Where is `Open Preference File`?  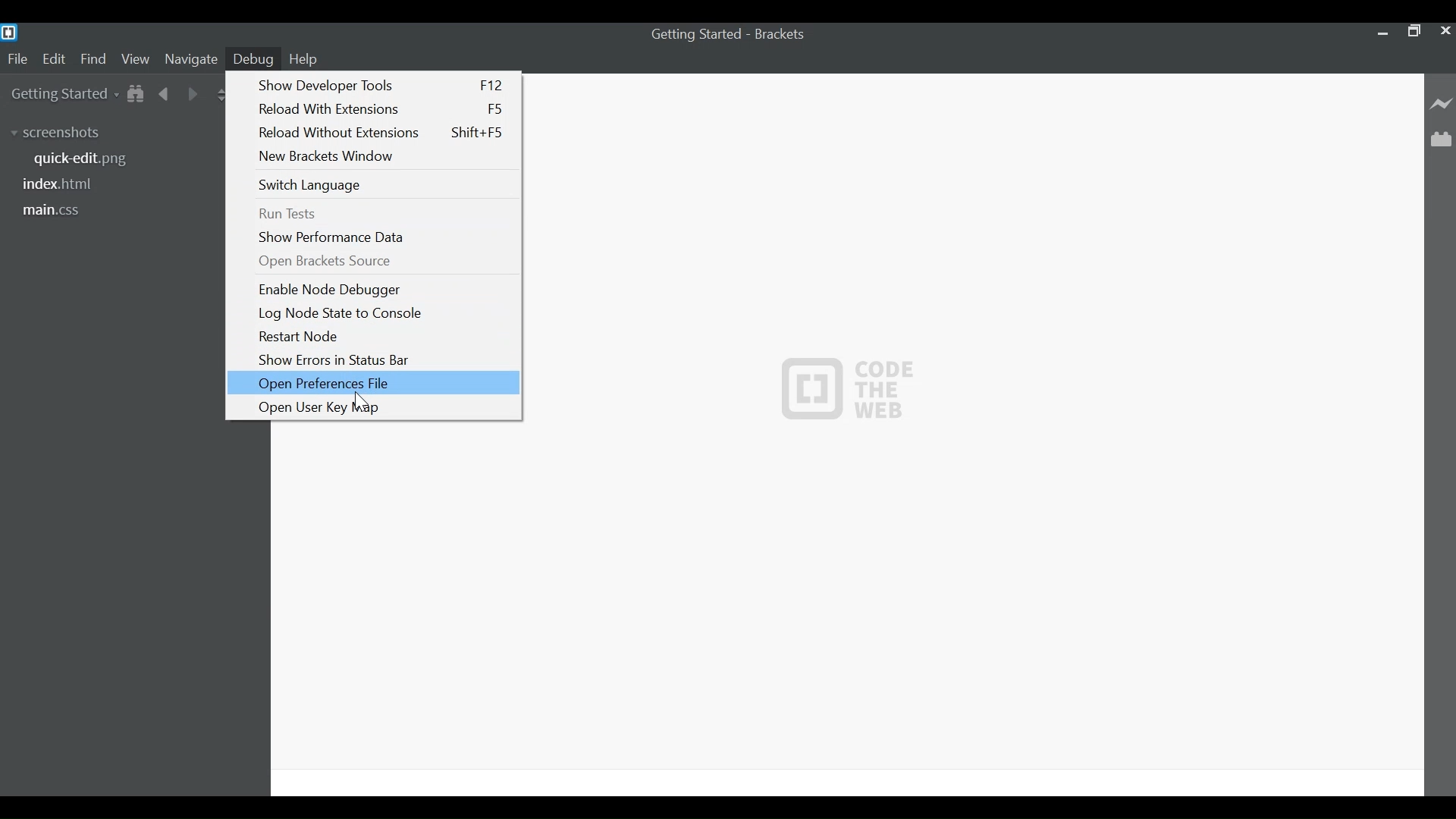 Open Preference File is located at coordinates (375, 383).